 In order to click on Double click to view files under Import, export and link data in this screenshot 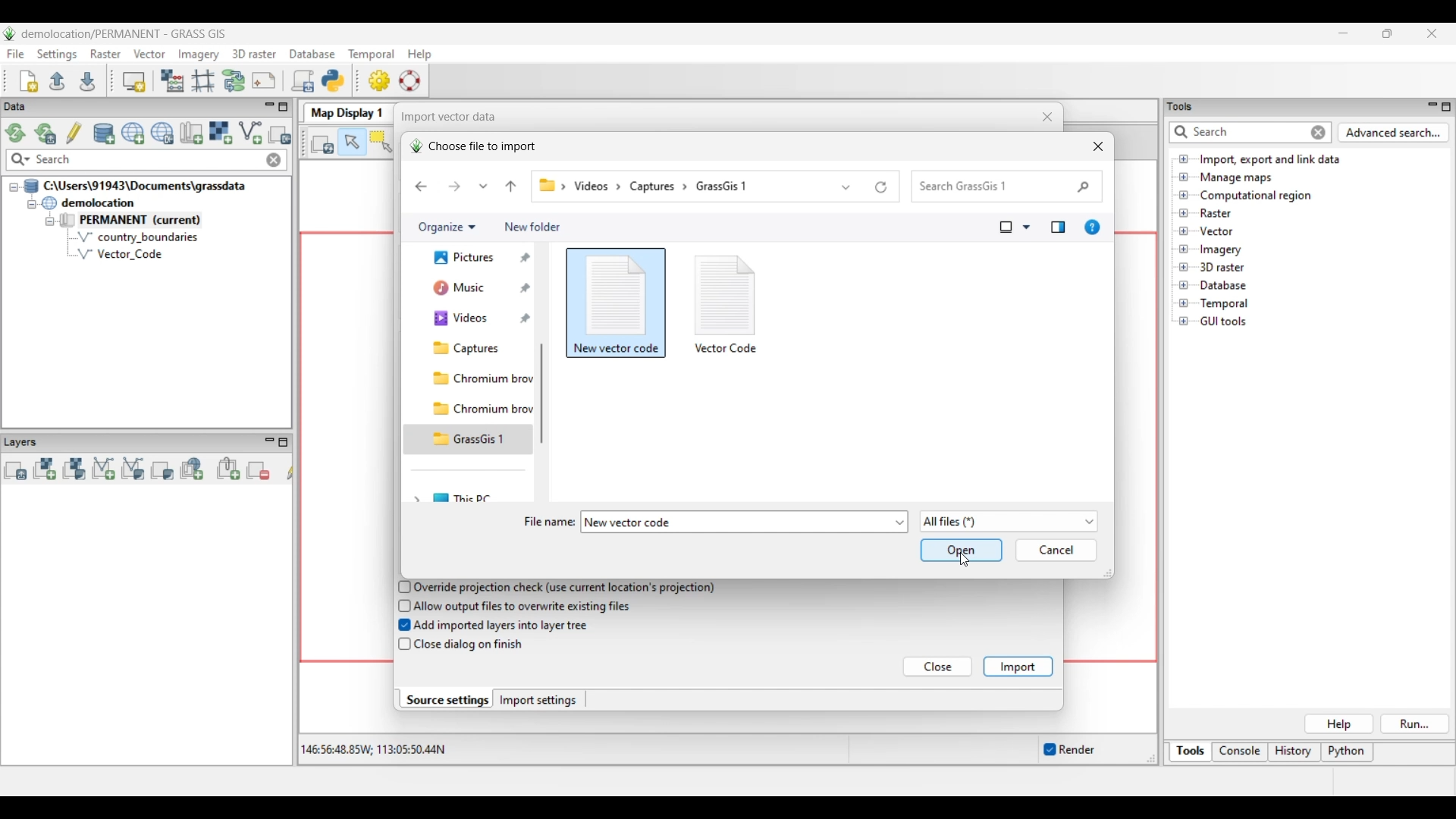, I will do `click(1270, 160)`.